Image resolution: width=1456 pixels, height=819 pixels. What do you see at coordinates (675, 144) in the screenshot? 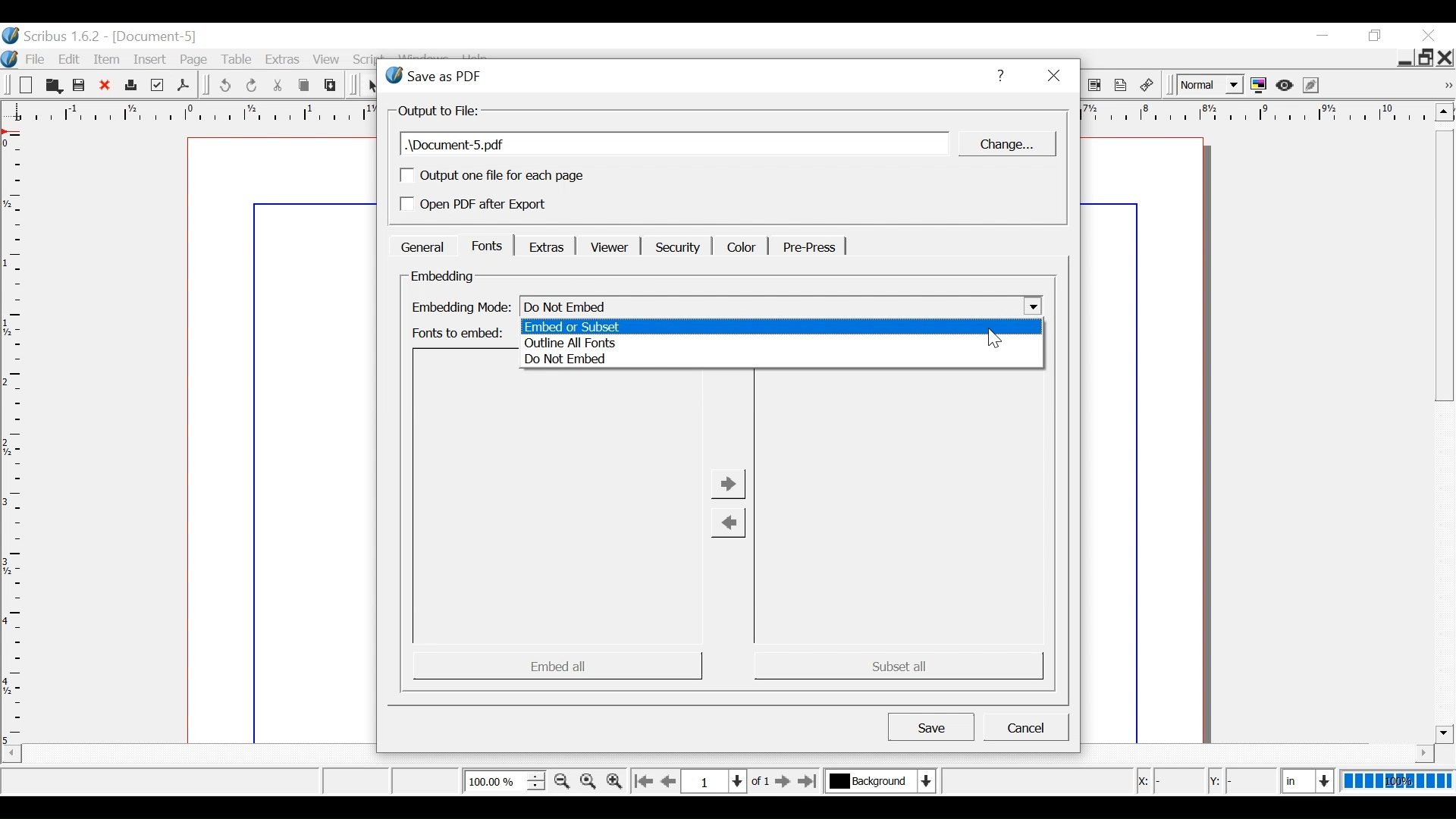
I see `Document name` at bounding box center [675, 144].